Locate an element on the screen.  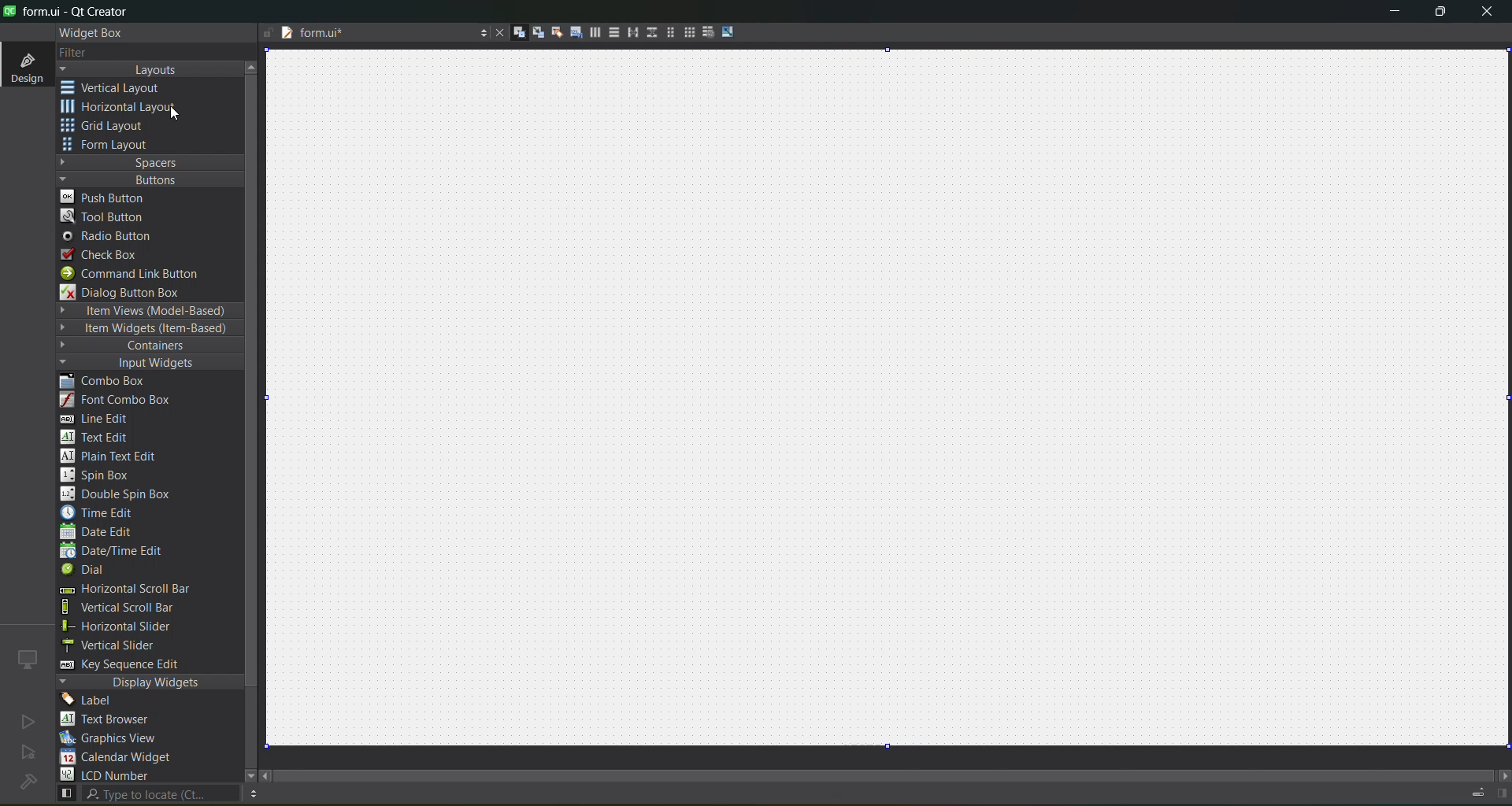
move left is located at coordinates (268, 777).